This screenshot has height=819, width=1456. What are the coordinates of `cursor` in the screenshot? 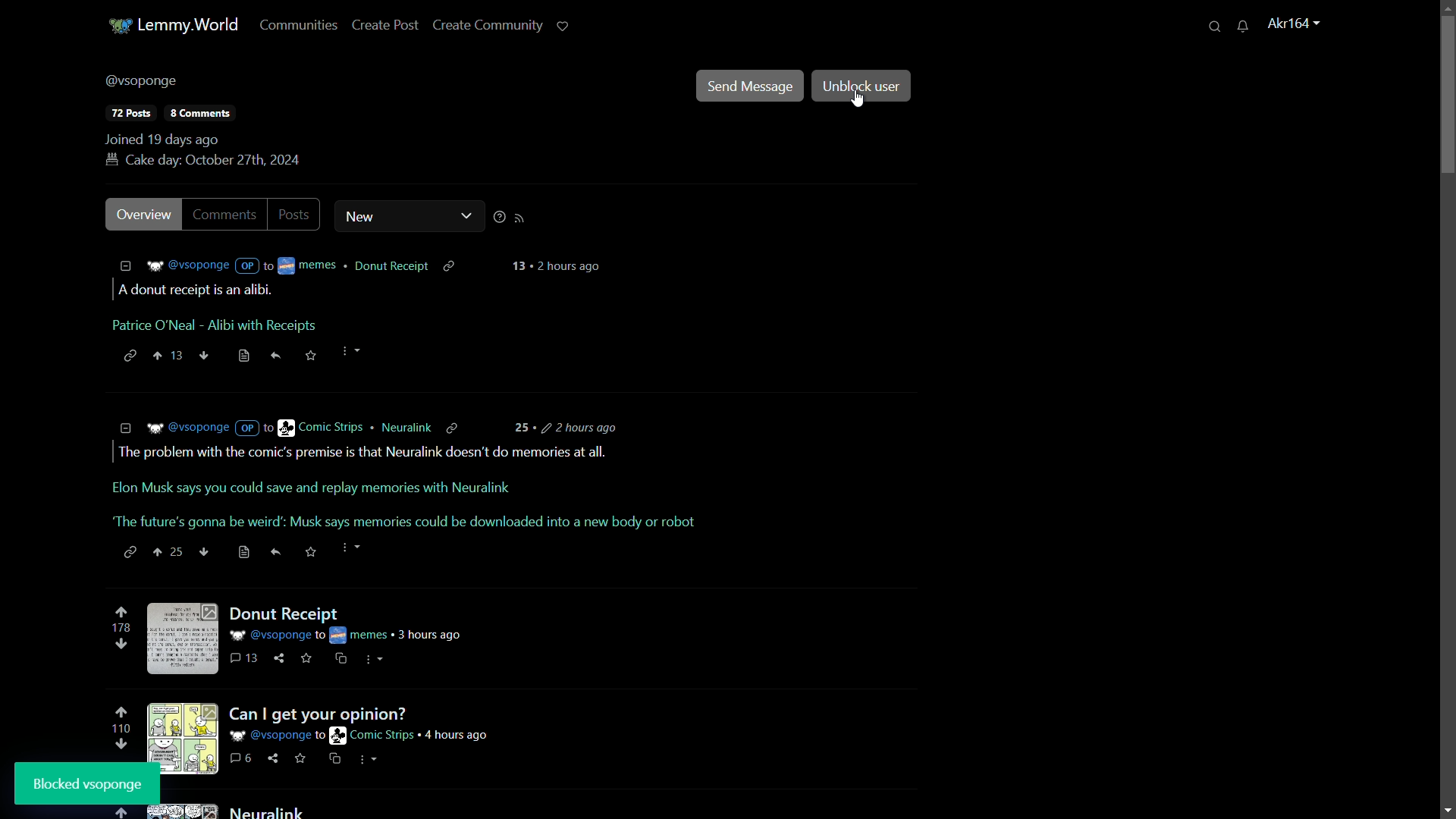 It's located at (856, 103).